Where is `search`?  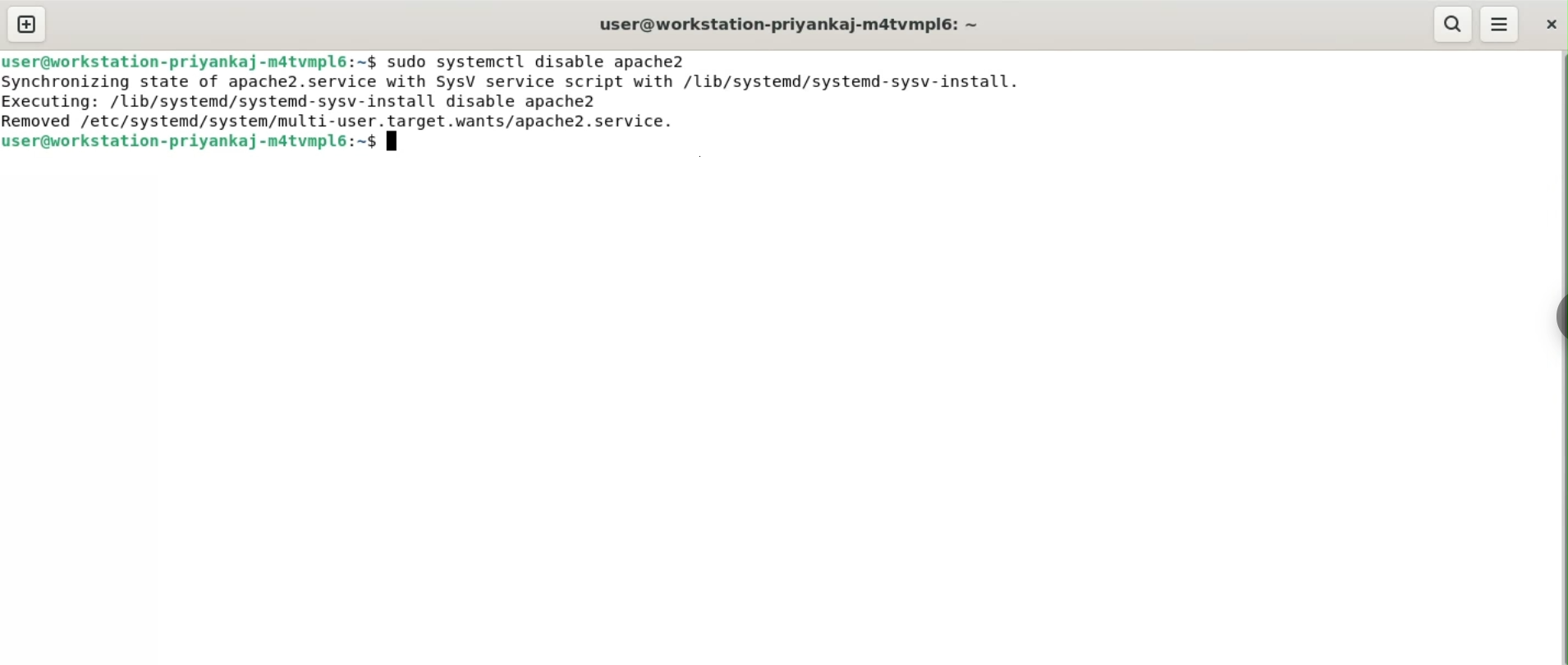 search is located at coordinates (1455, 25).